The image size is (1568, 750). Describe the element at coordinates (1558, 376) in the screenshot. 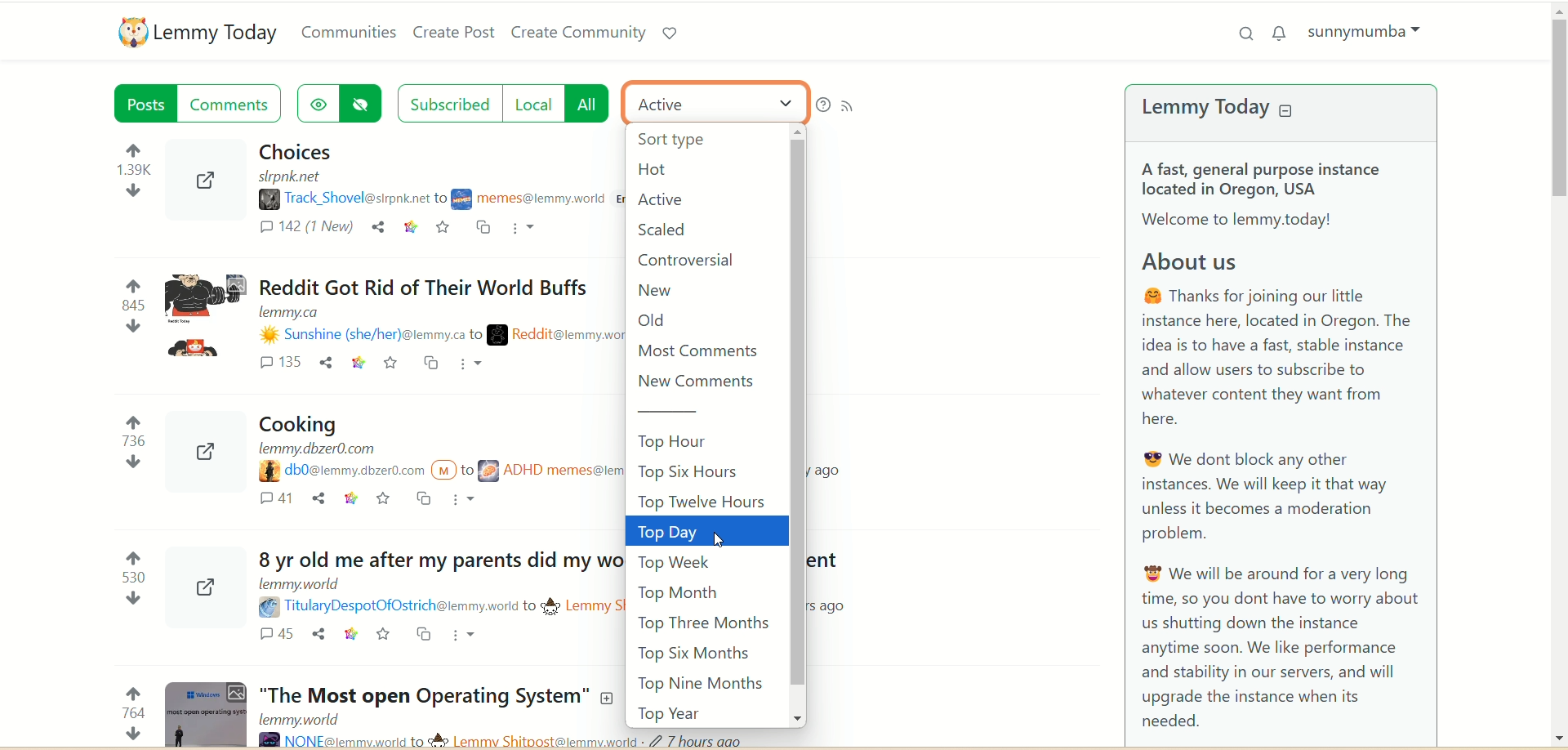

I see `vertical scroll bar` at that location.